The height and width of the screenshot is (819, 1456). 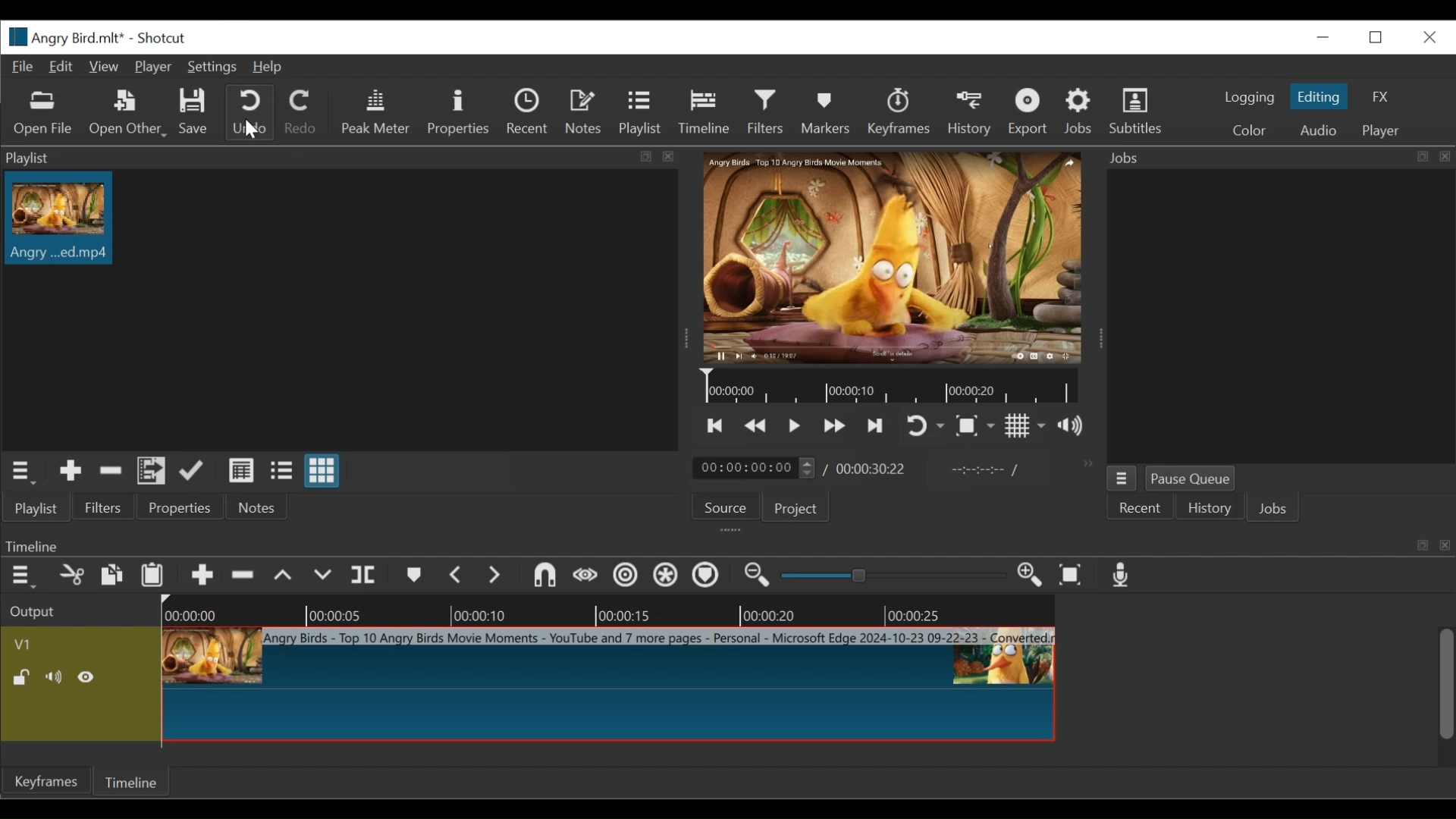 I want to click on Subtitles, so click(x=1138, y=109).